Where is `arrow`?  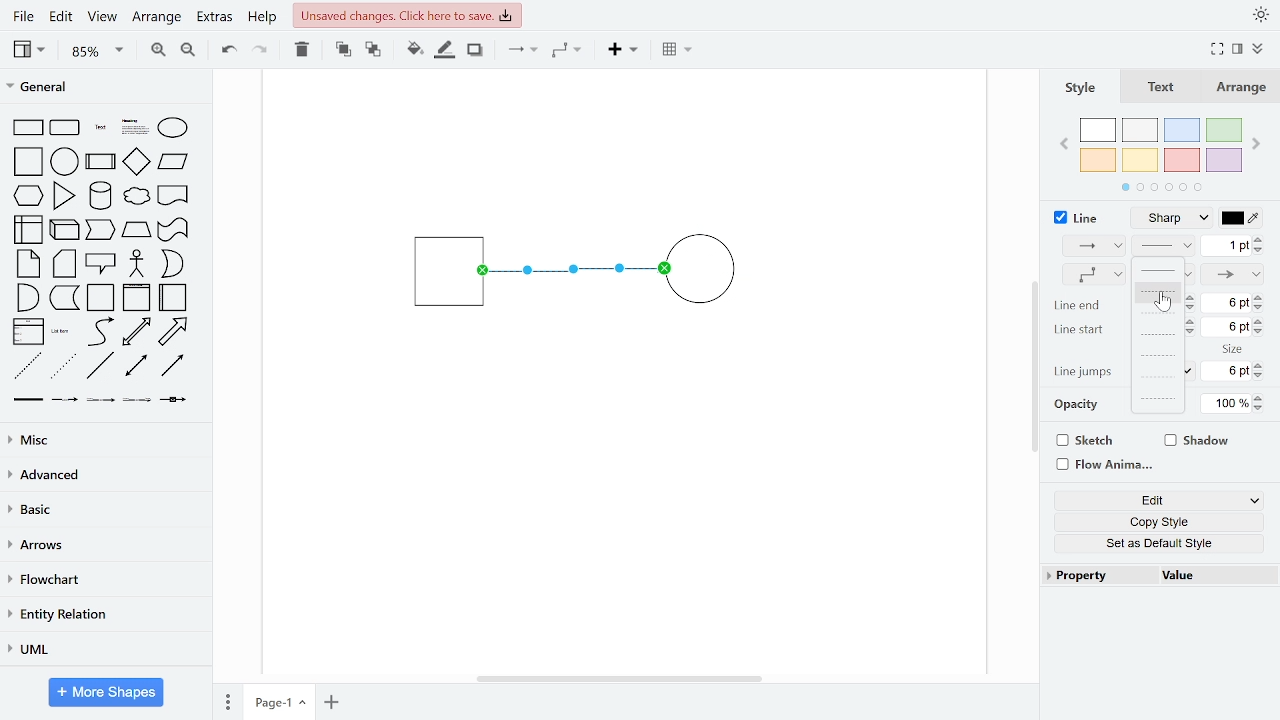 arrow is located at coordinates (173, 332).